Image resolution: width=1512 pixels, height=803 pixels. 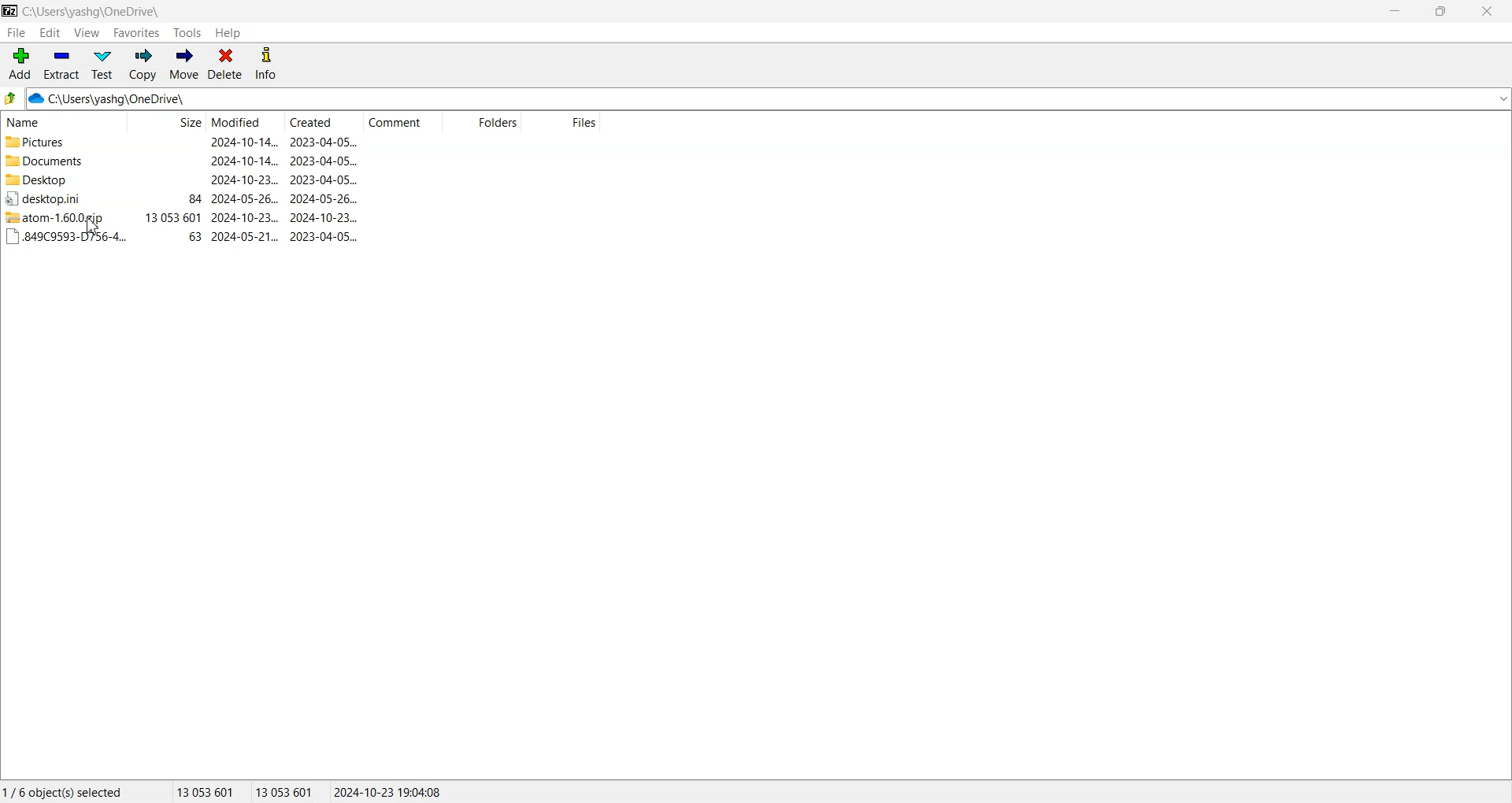 I want to click on Help, so click(x=228, y=33).